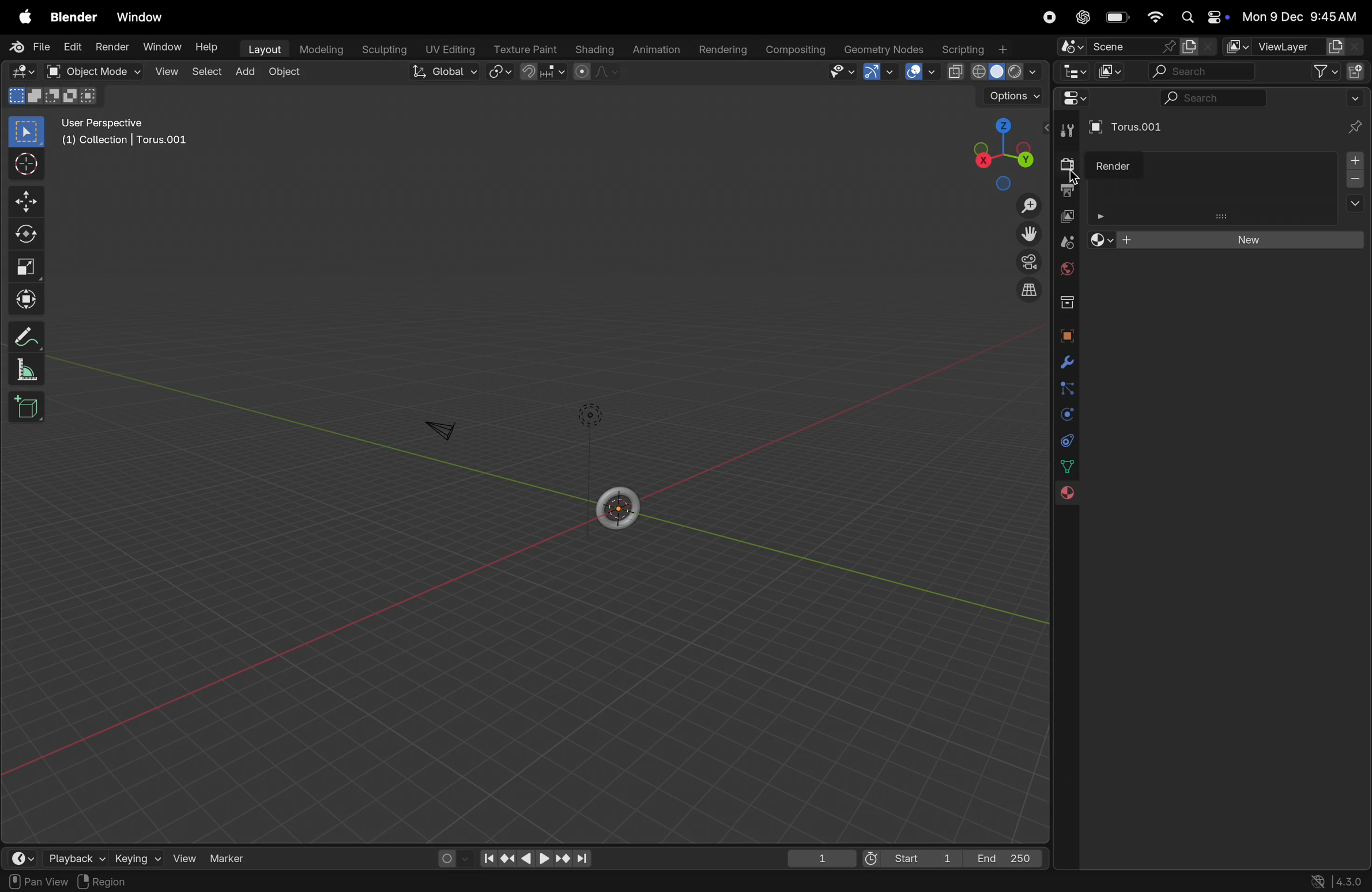 The height and width of the screenshot is (892, 1372). I want to click on date and time, so click(1305, 16).